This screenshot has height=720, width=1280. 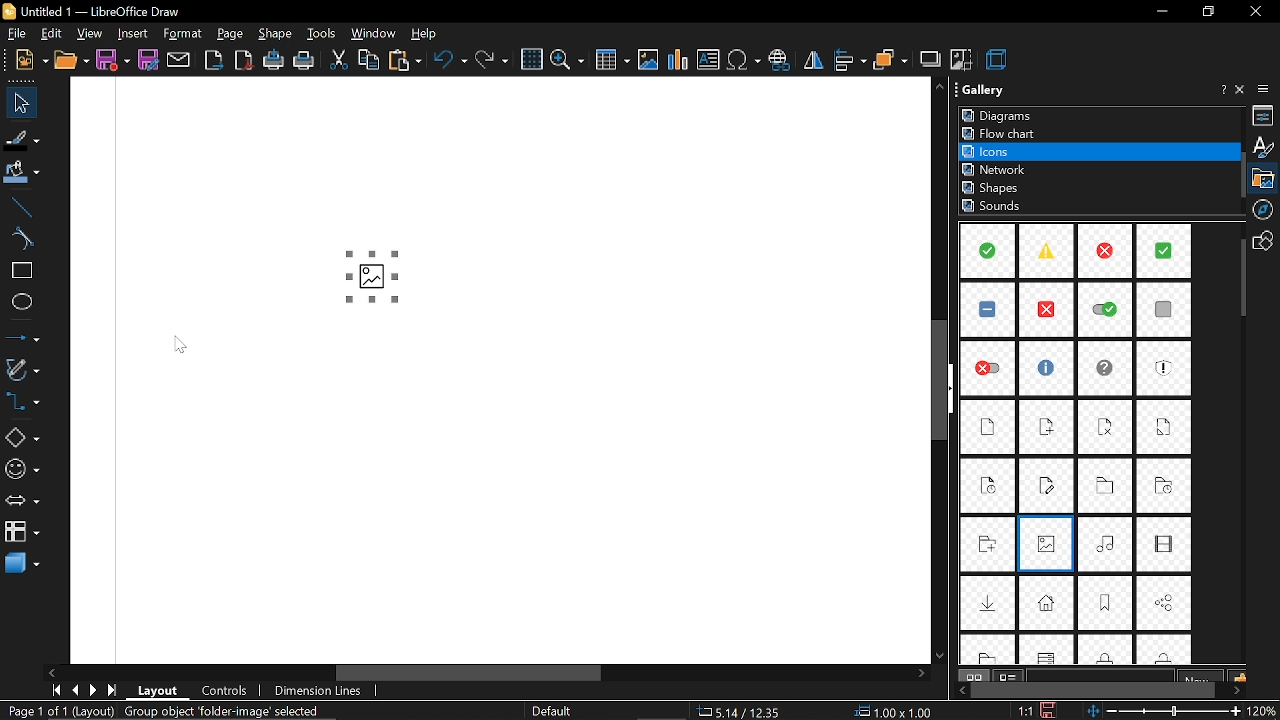 I want to click on shapes, so click(x=1266, y=240).